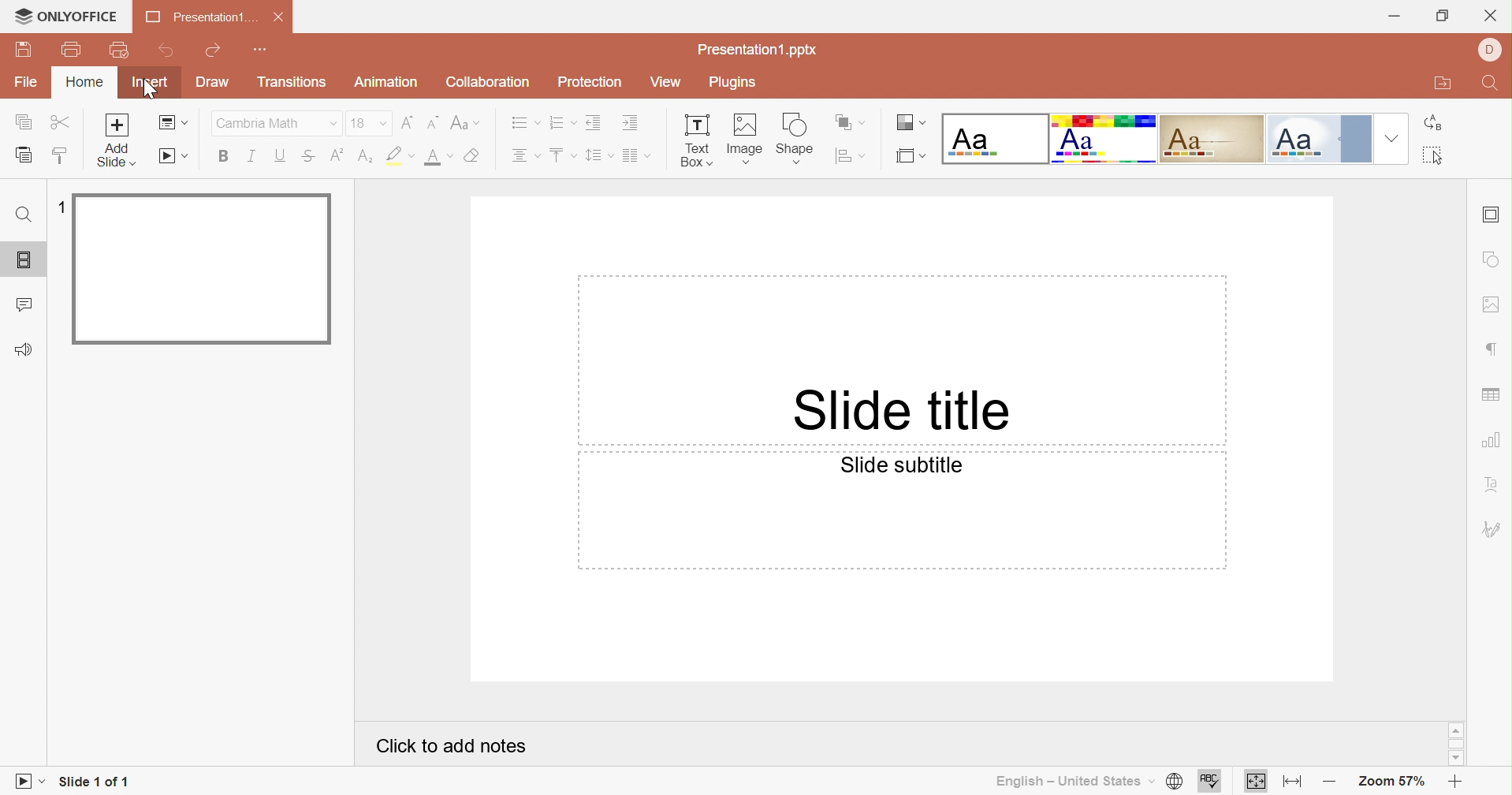  I want to click on Slide 1 of 1, so click(96, 782).